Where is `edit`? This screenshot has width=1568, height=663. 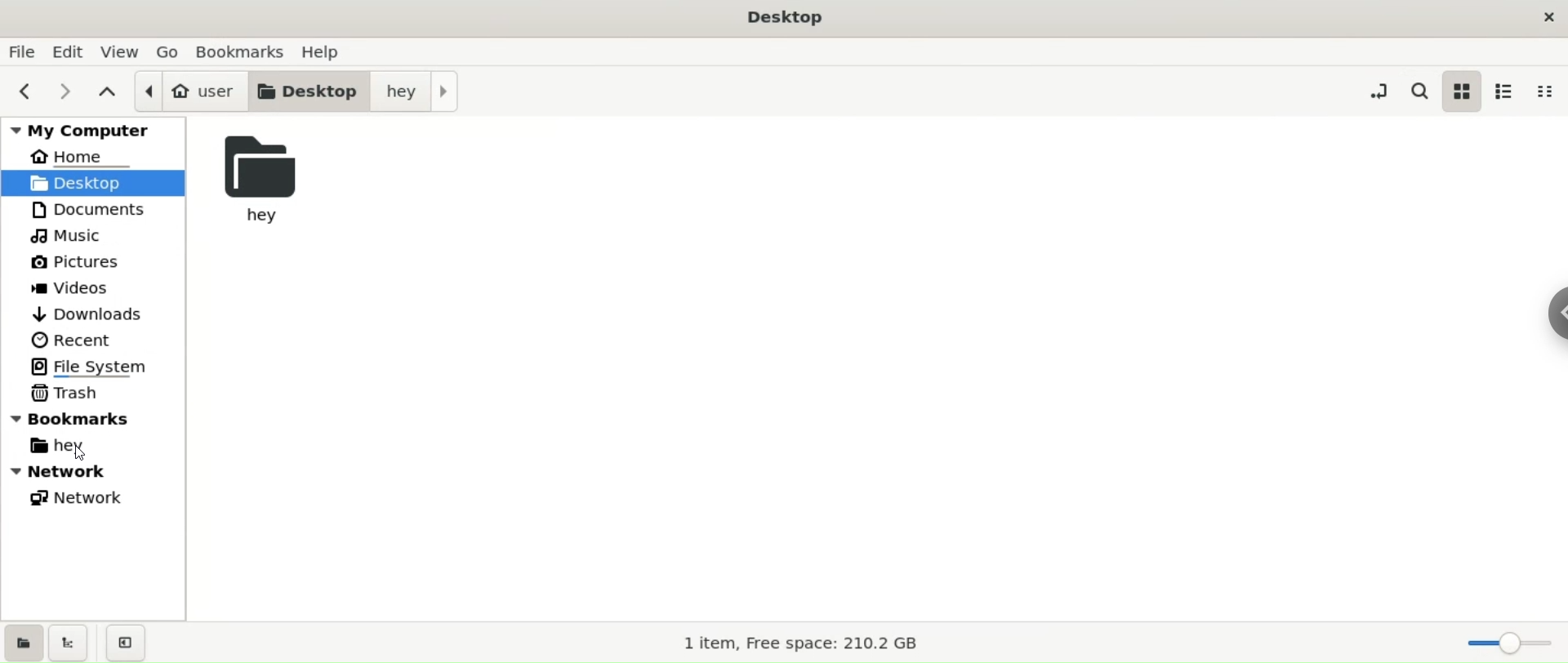 edit is located at coordinates (69, 53).